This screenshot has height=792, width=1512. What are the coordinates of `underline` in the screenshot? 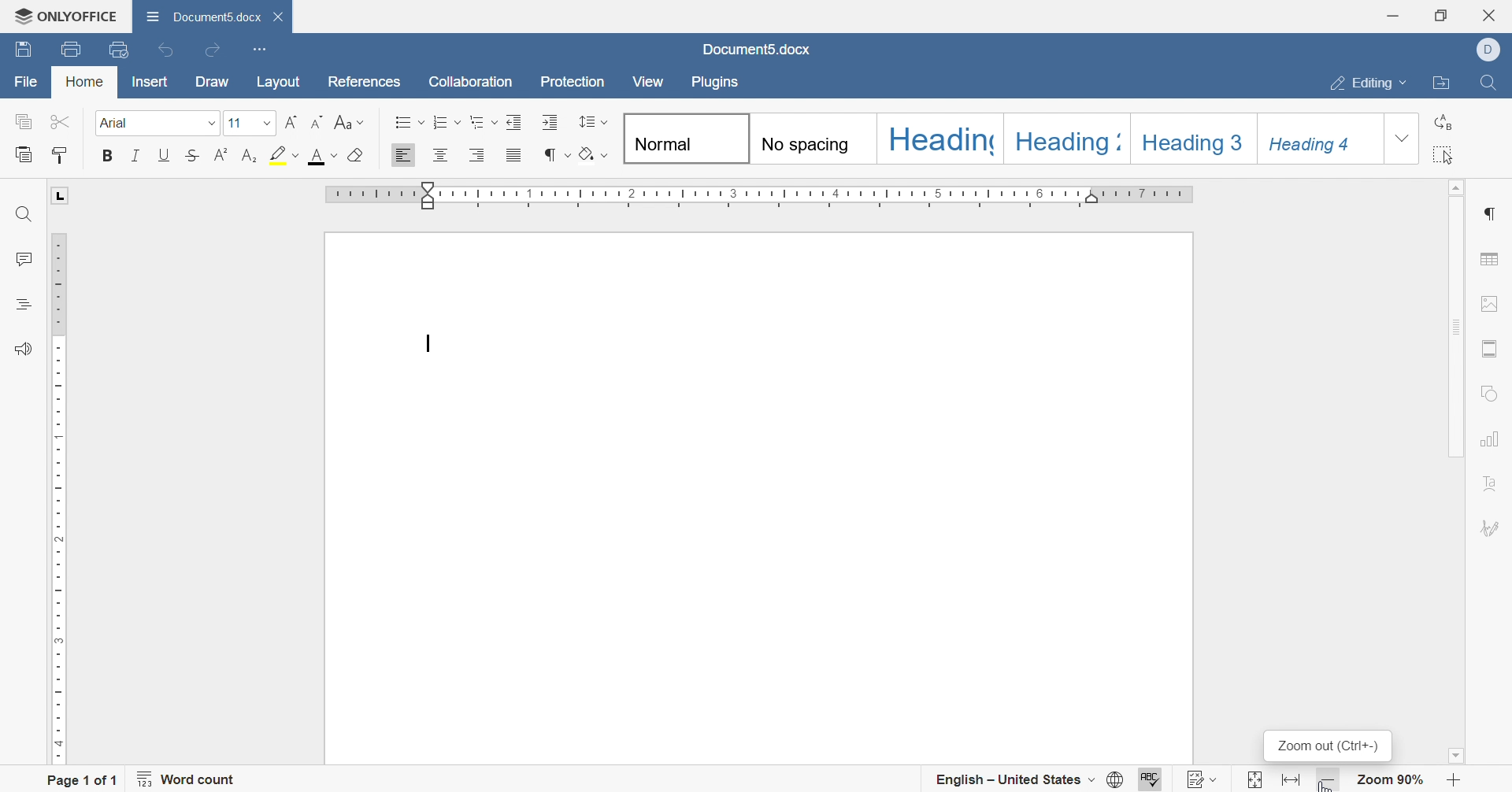 It's located at (160, 157).